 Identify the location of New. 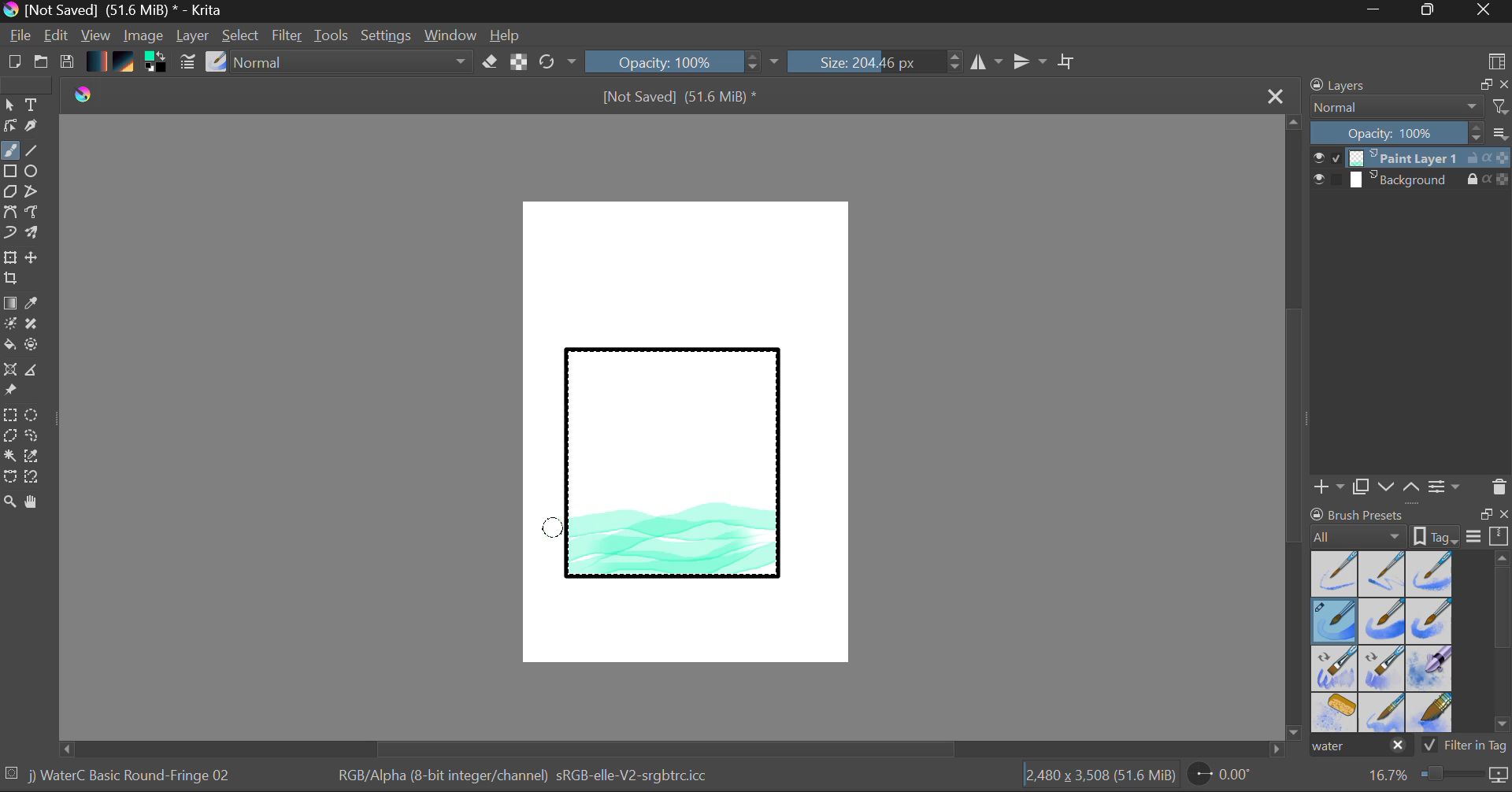
(13, 64).